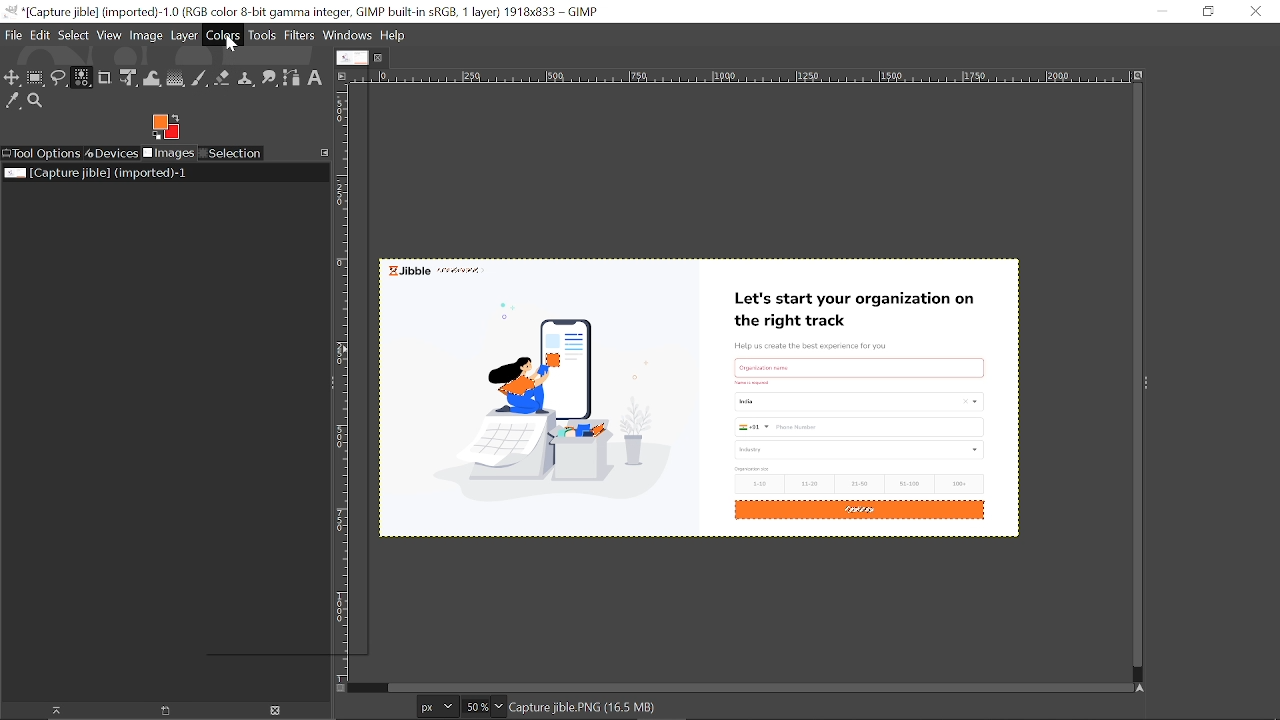  Describe the element at coordinates (302, 12) in the screenshot. I see `Current window` at that location.